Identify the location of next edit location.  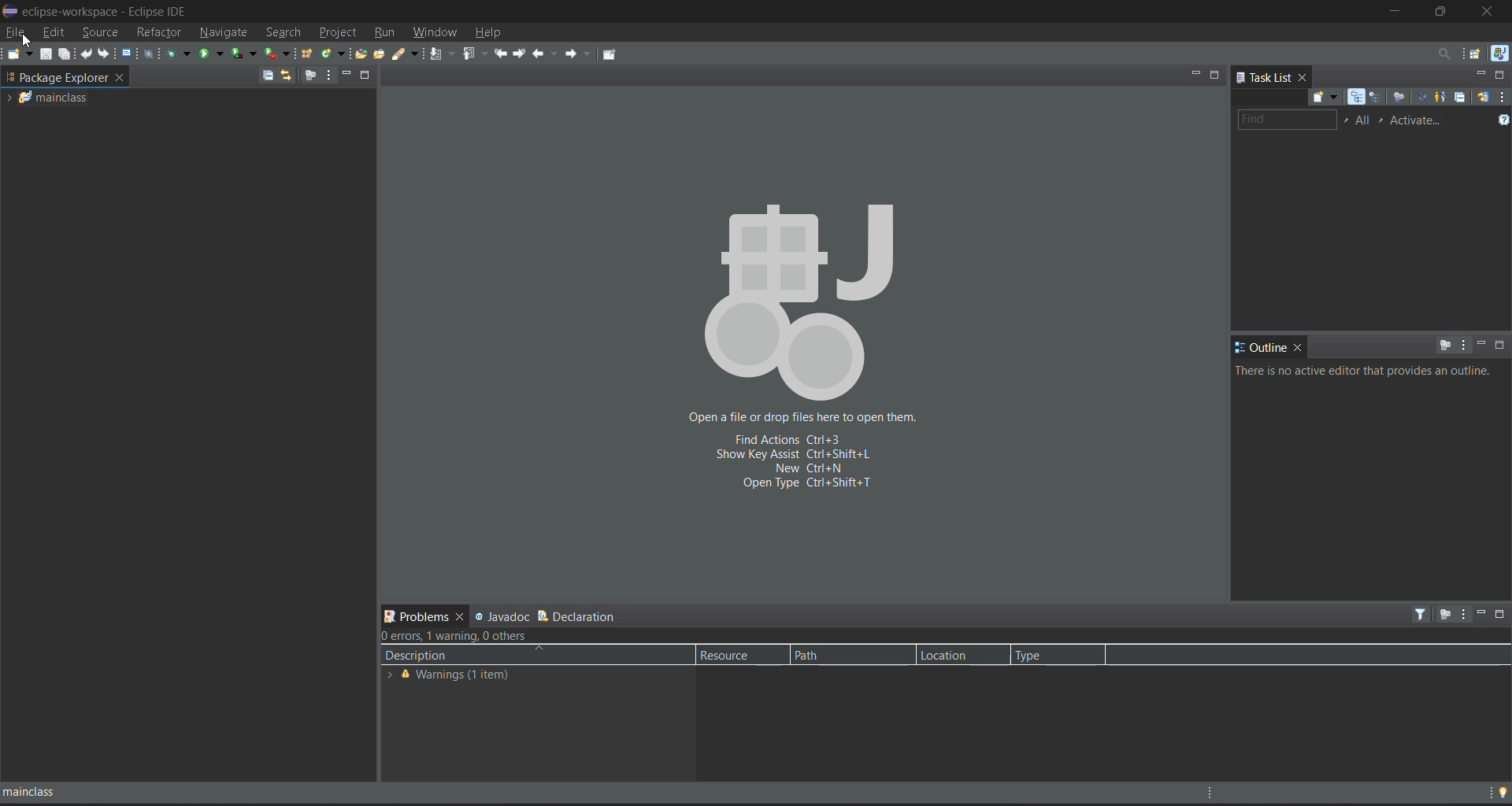
(522, 51).